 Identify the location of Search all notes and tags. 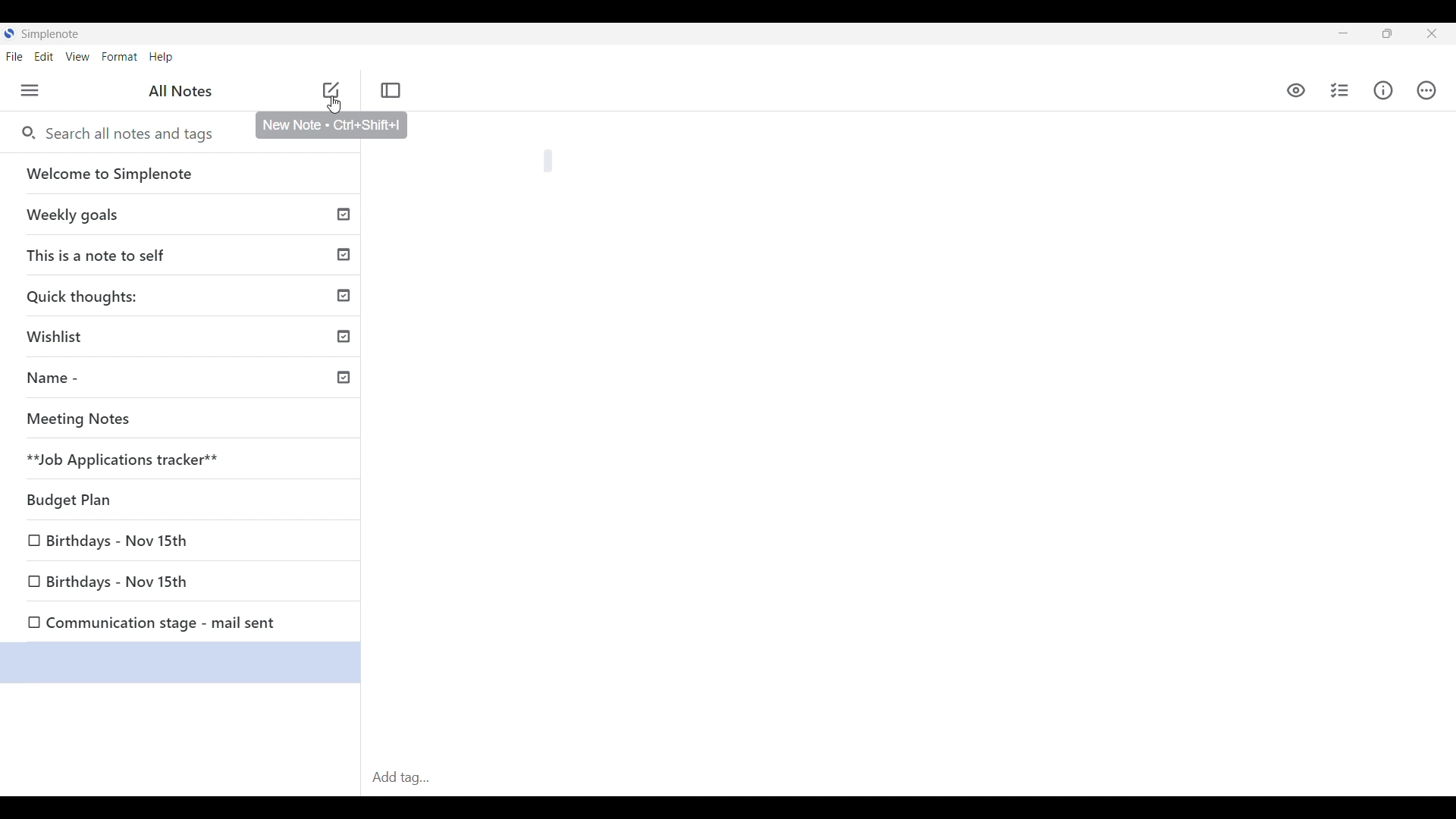
(127, 133).